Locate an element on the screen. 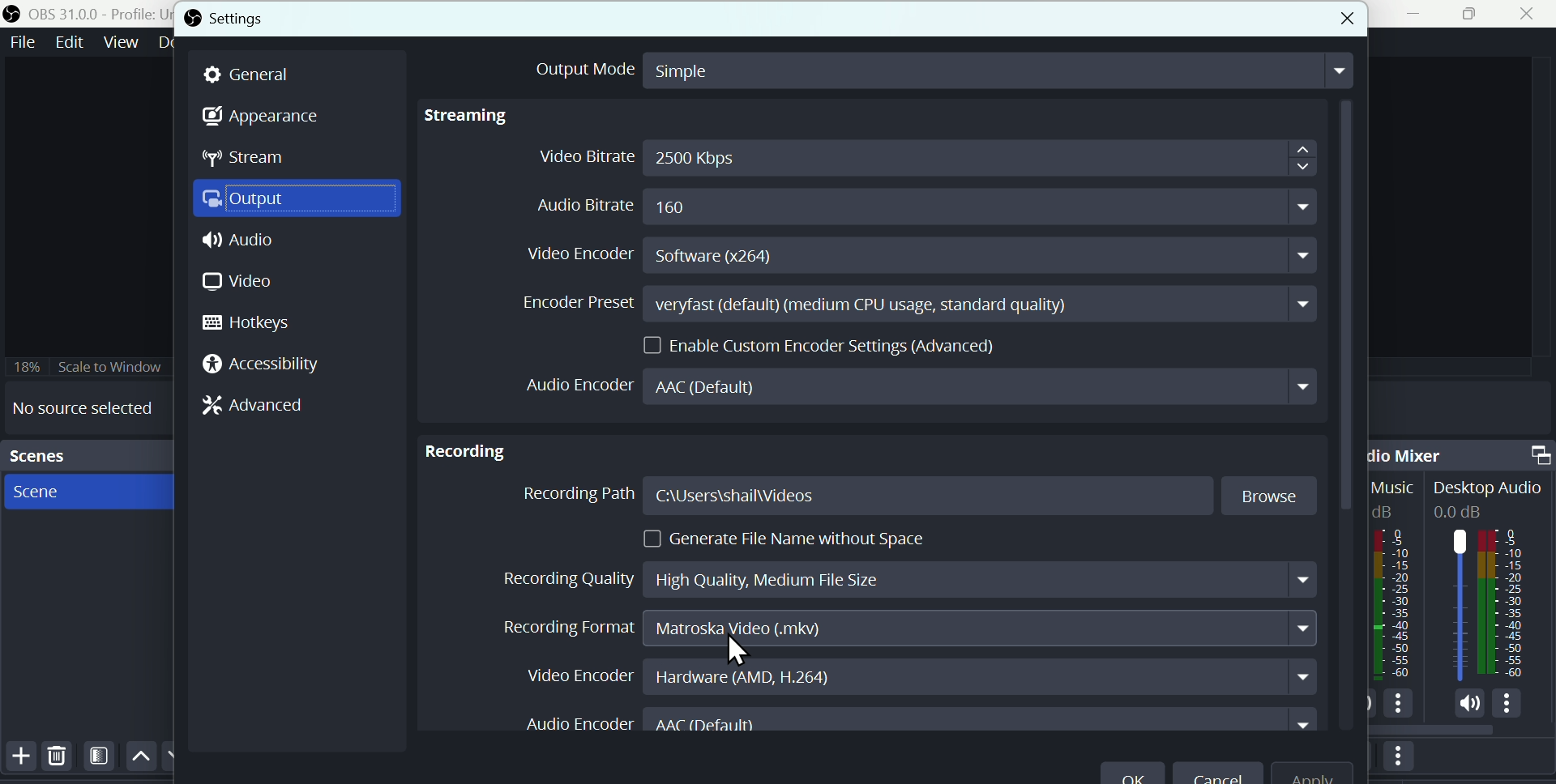 The width and height of the screenshot is (1556, 784). Audio is located at coordinates (241, 239).